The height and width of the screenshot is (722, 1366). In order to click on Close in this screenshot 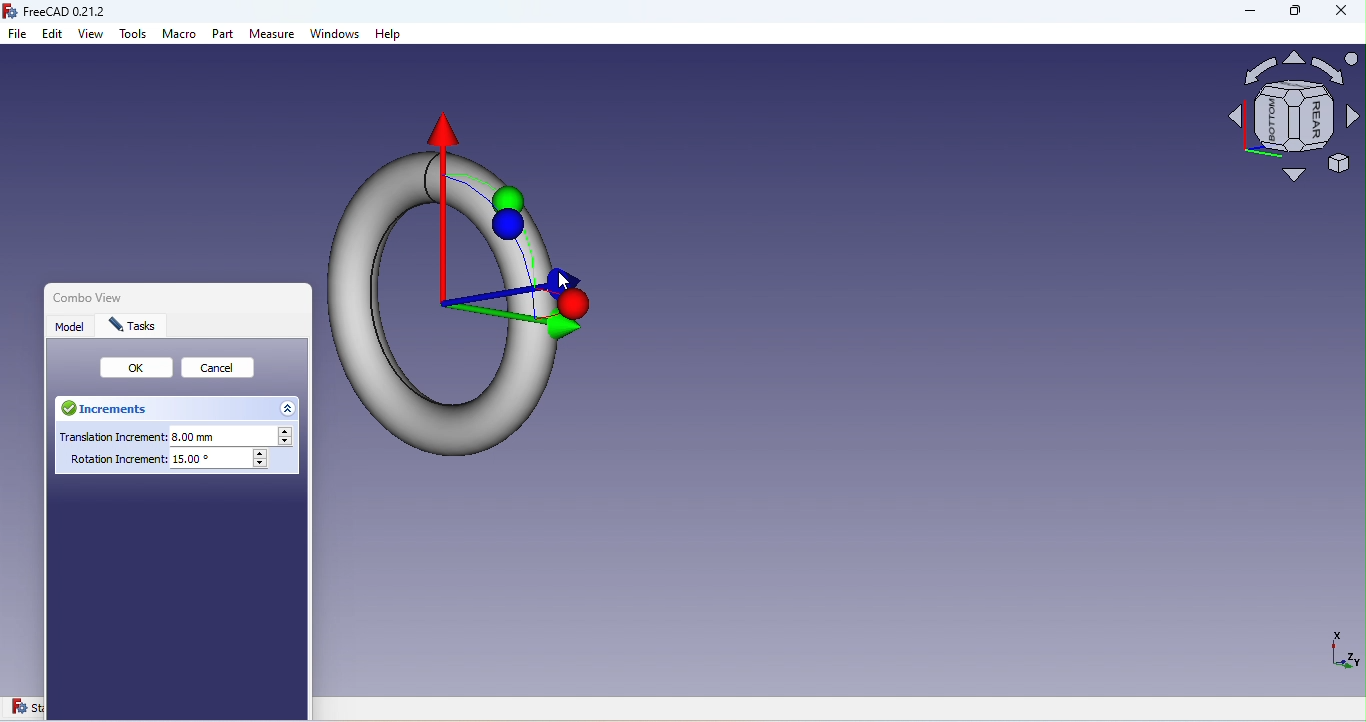, I will do `click(1341, 13)`.